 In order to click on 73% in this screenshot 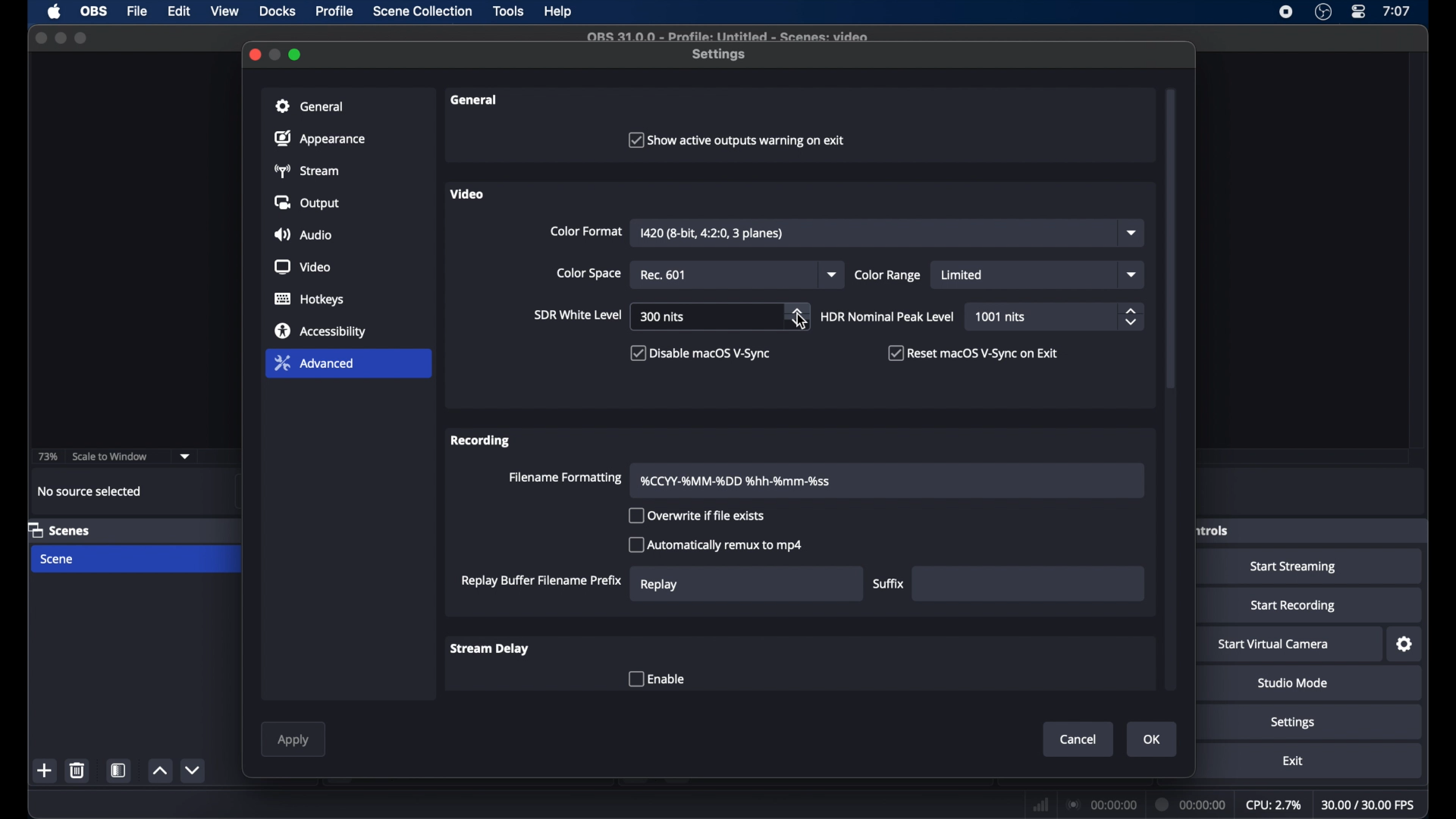, I will do `click(46, 457)`.